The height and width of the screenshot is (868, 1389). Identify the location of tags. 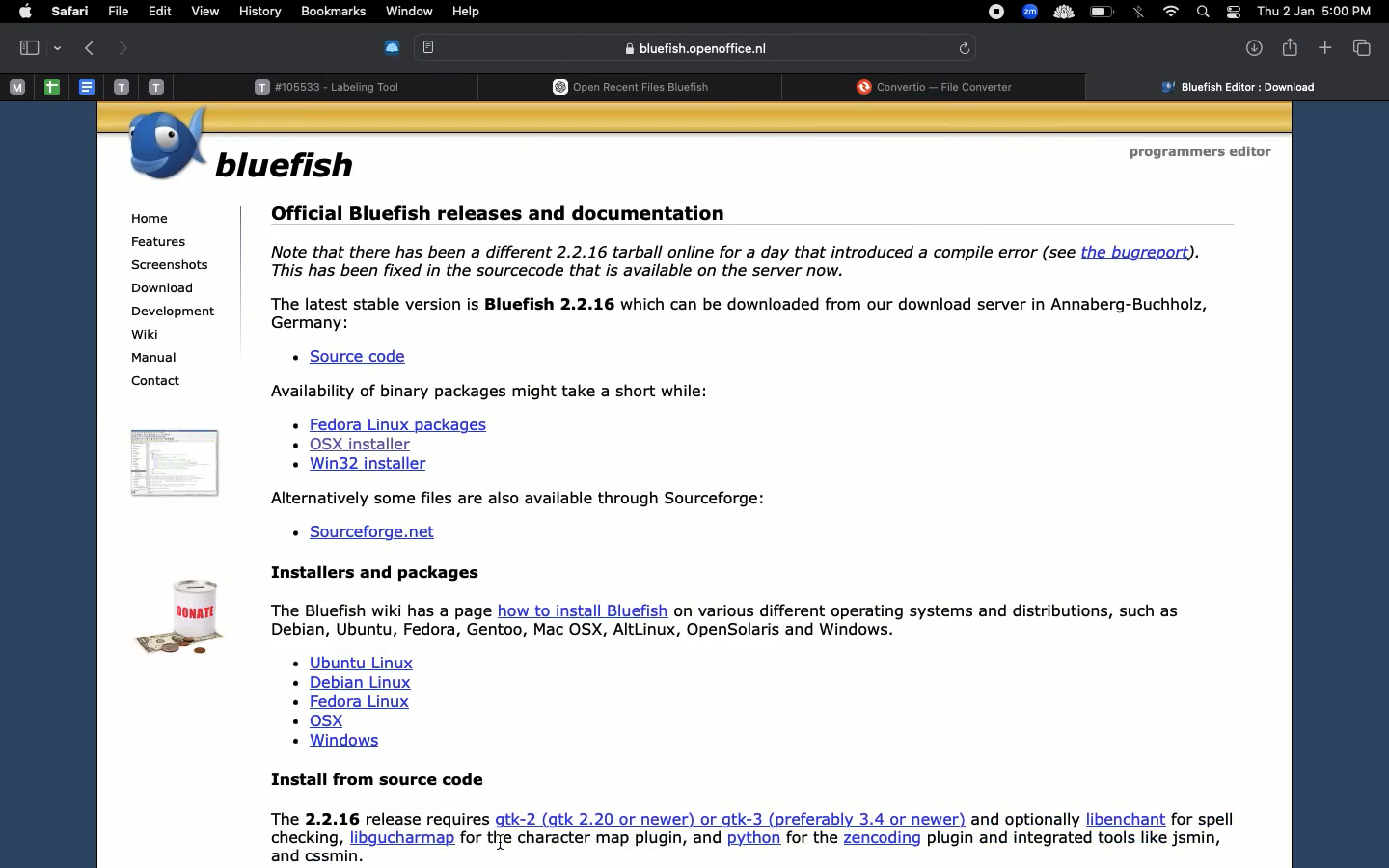
(499, 12).